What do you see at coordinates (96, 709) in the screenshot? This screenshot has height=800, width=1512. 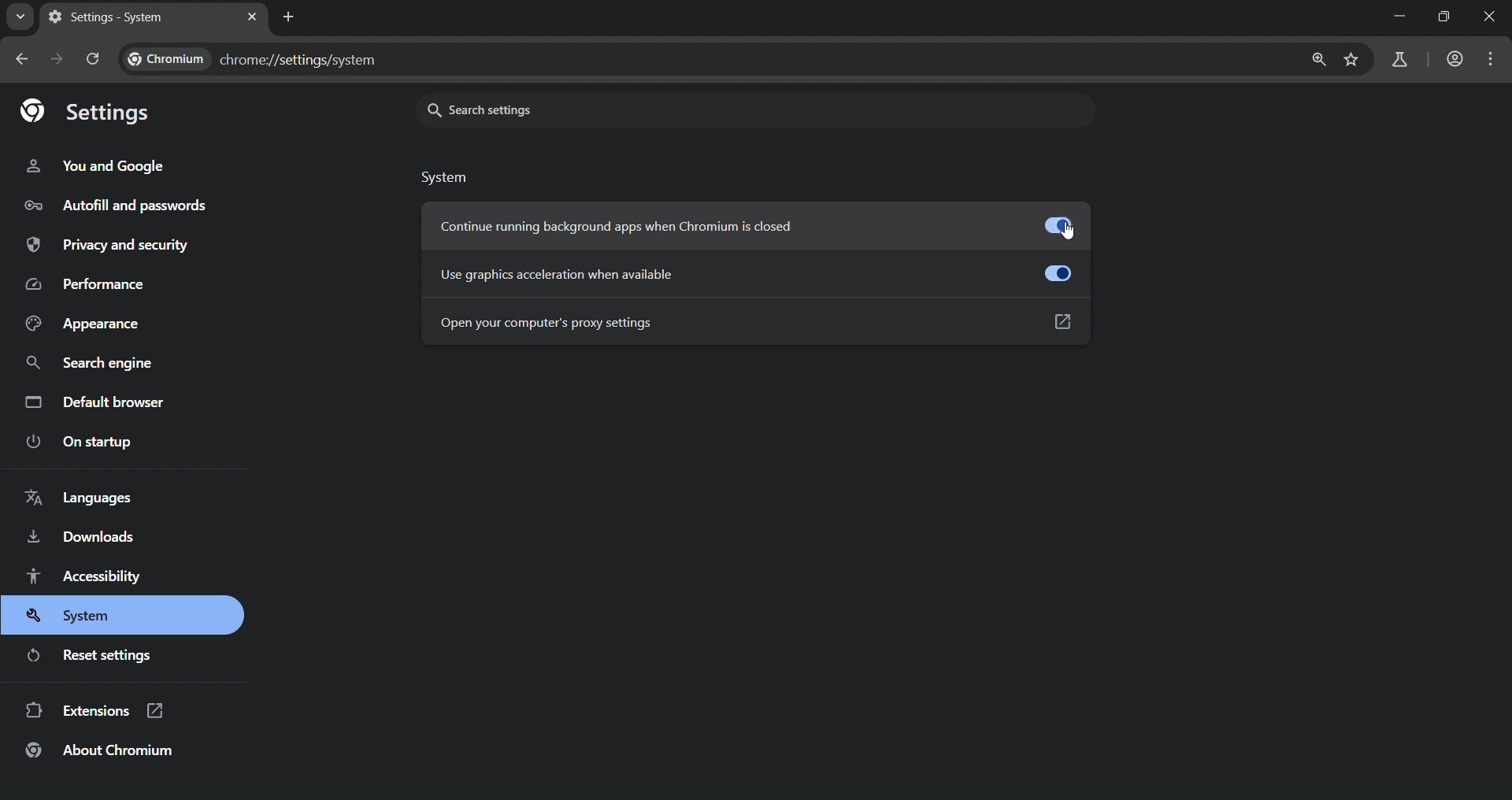 I see `extensions` at bounding box center [96, 709].